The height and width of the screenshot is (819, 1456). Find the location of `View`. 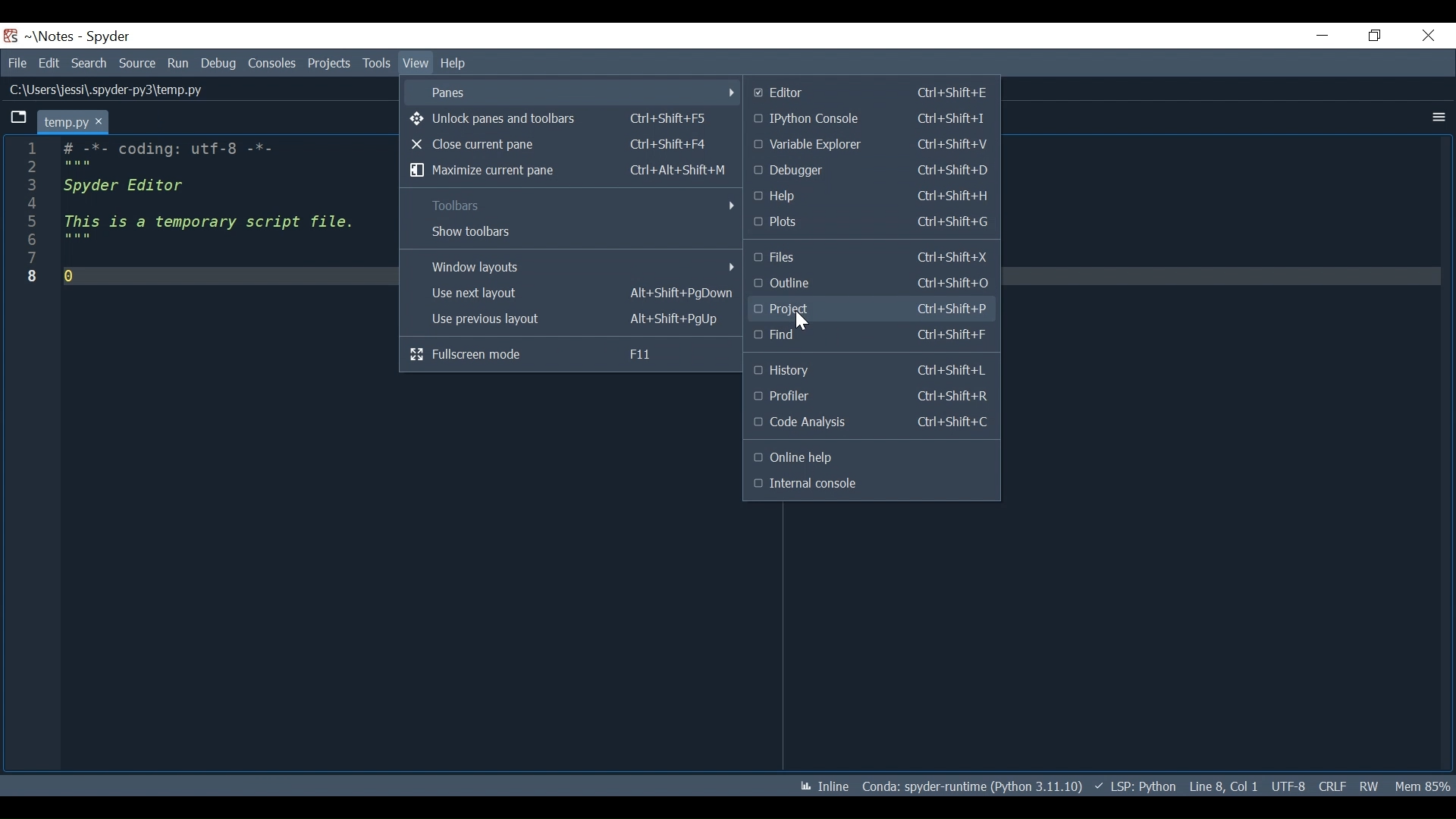

View is located at coordinates (415, 63).